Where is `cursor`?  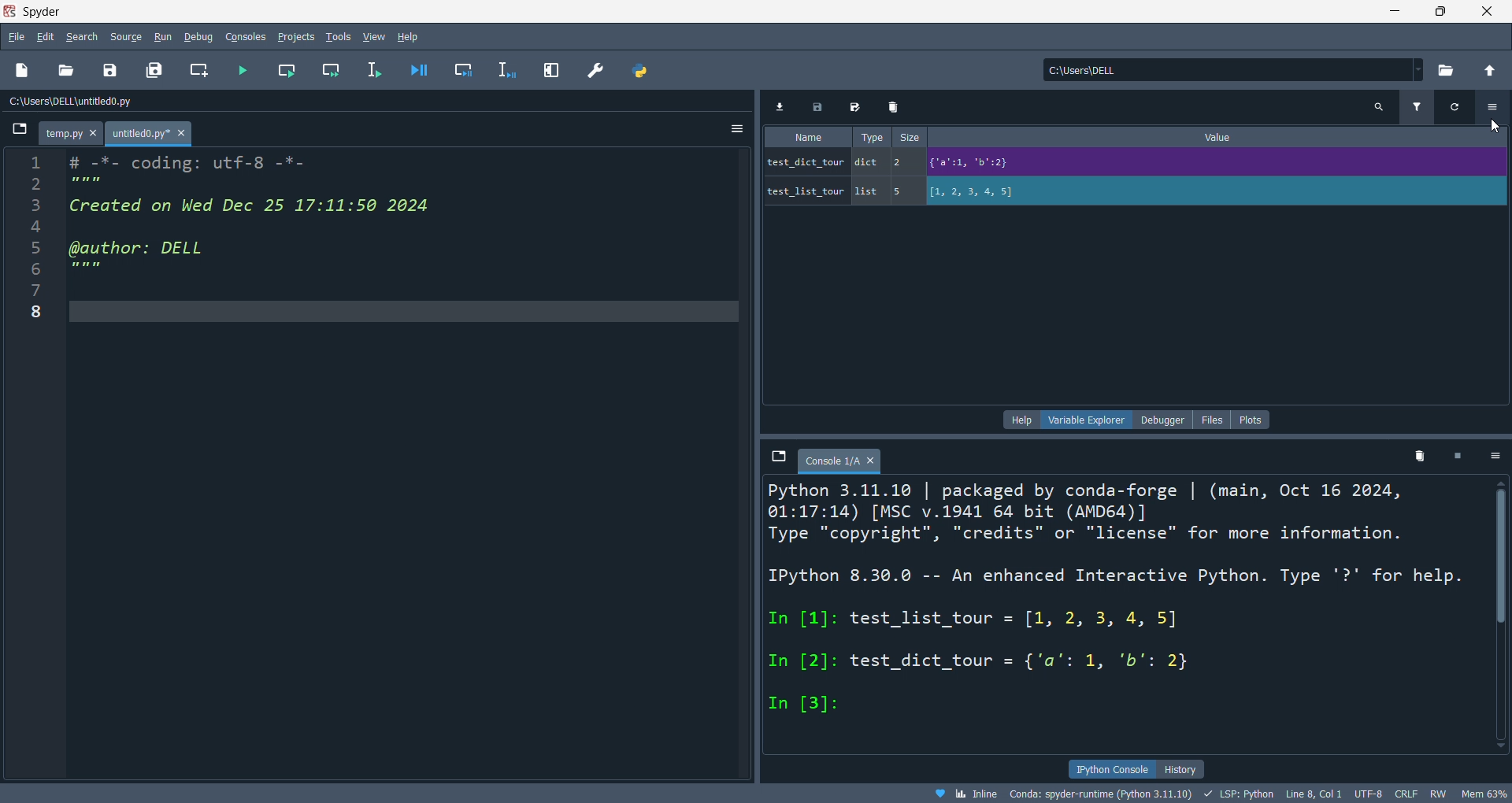
cursor is located at coordinates (1497, 124).